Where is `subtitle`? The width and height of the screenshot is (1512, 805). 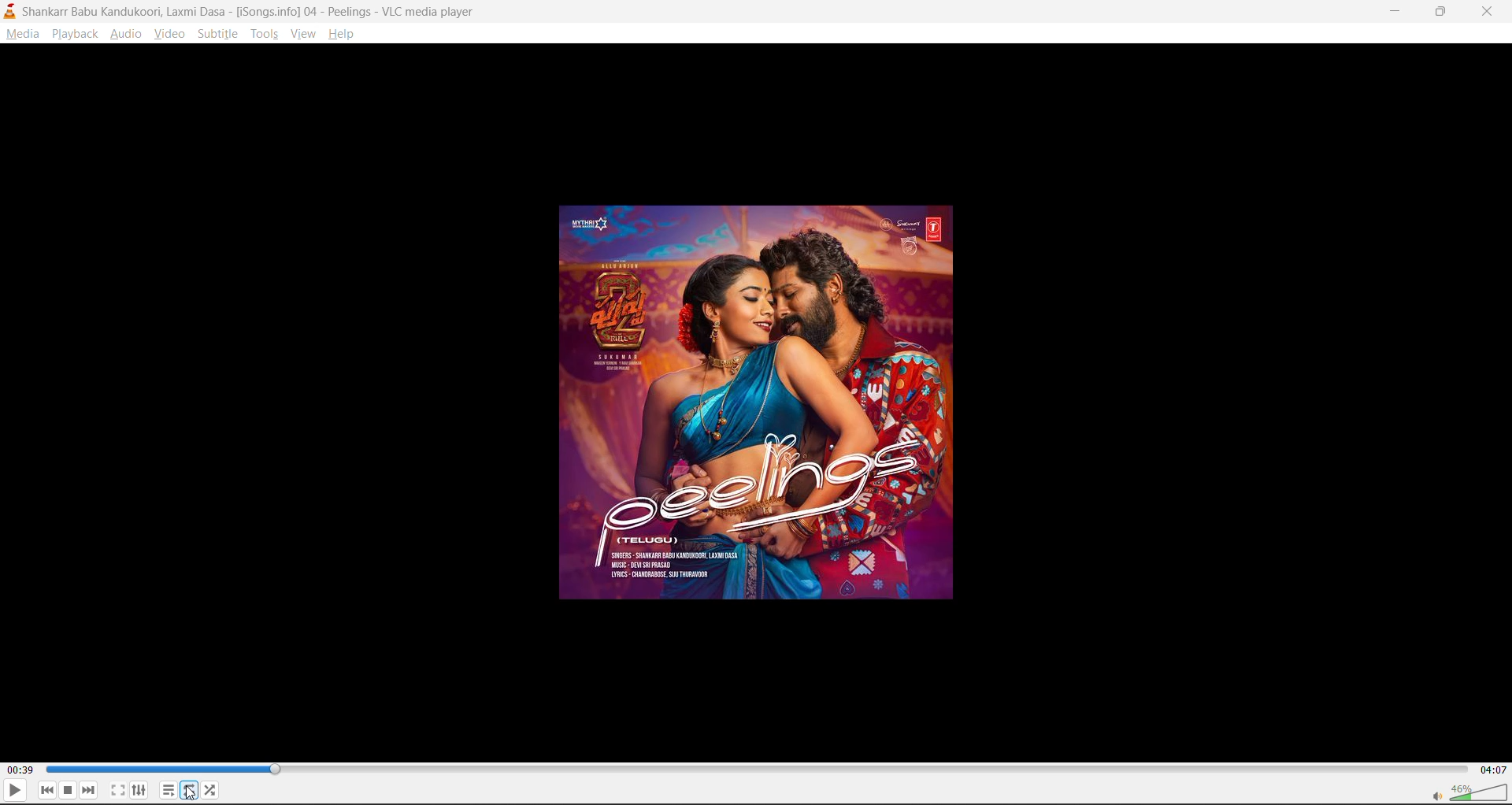 subtitle is located at coordinates (220, 35).